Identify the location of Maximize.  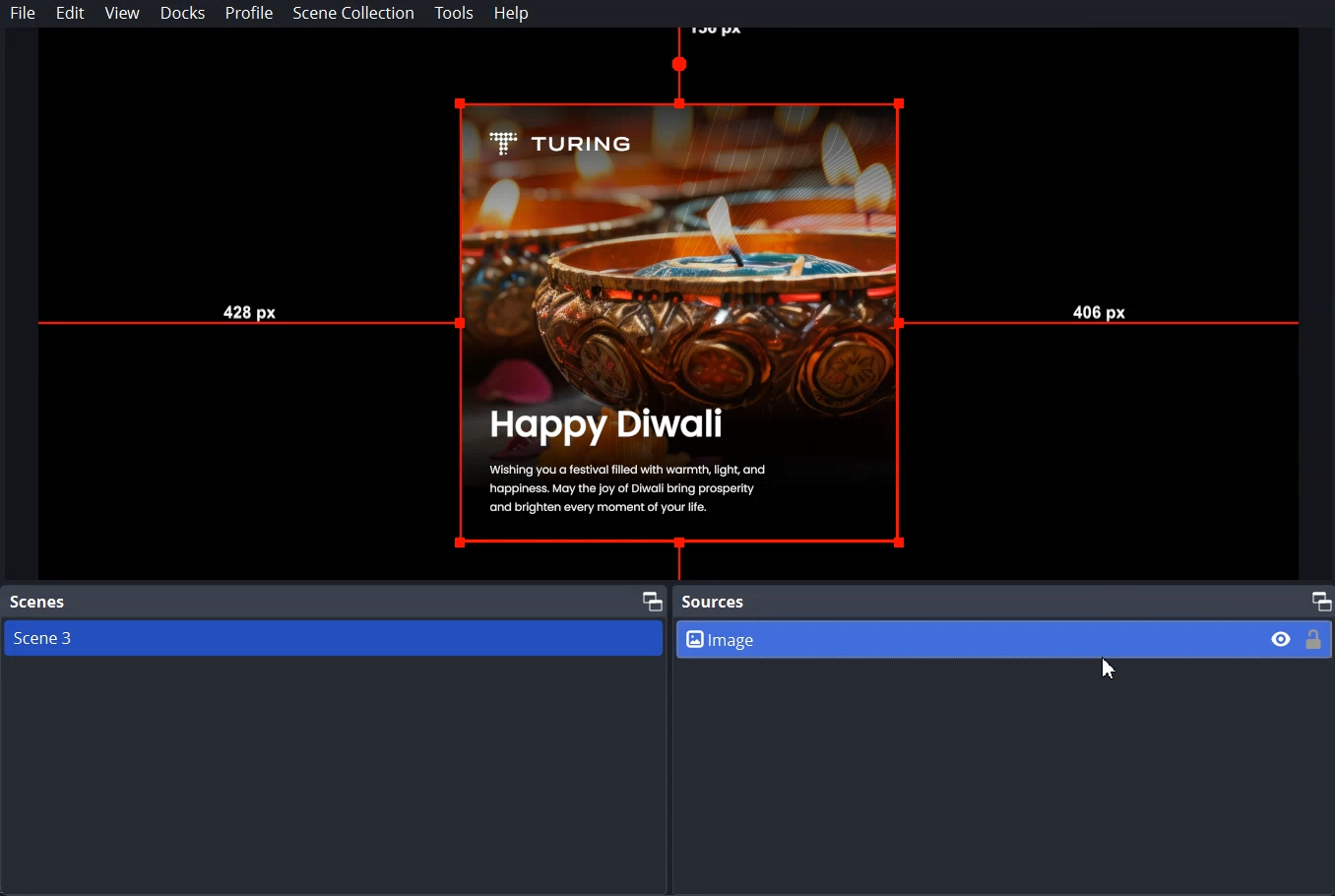
(652, 599).